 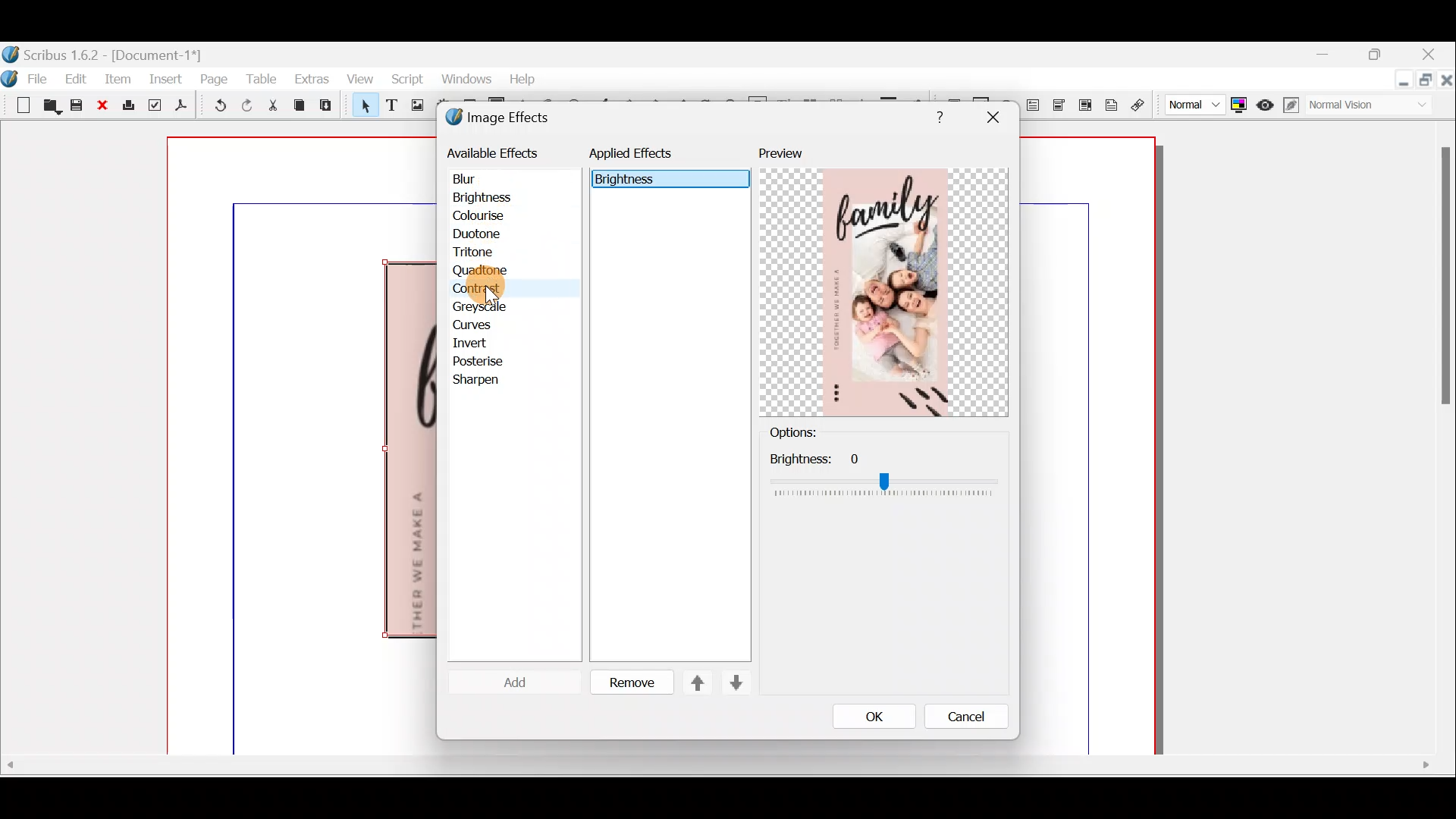 What do you see at coordinates (480, 236) in the screenshot?
I see `Duotone` at bounding box center [480, 236].